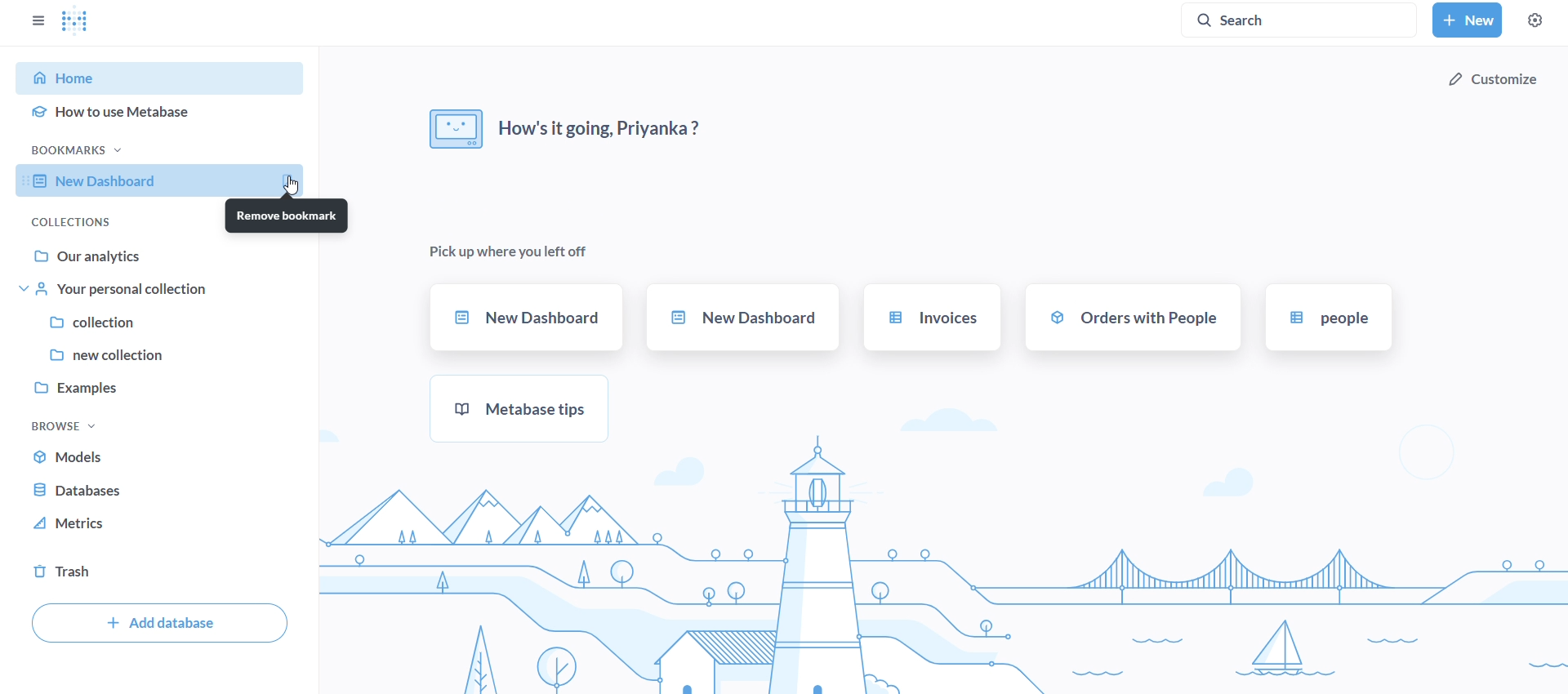 The width and height of the screenshot is (1568, 694). I want to click on new dashboard, so click(165, 181).